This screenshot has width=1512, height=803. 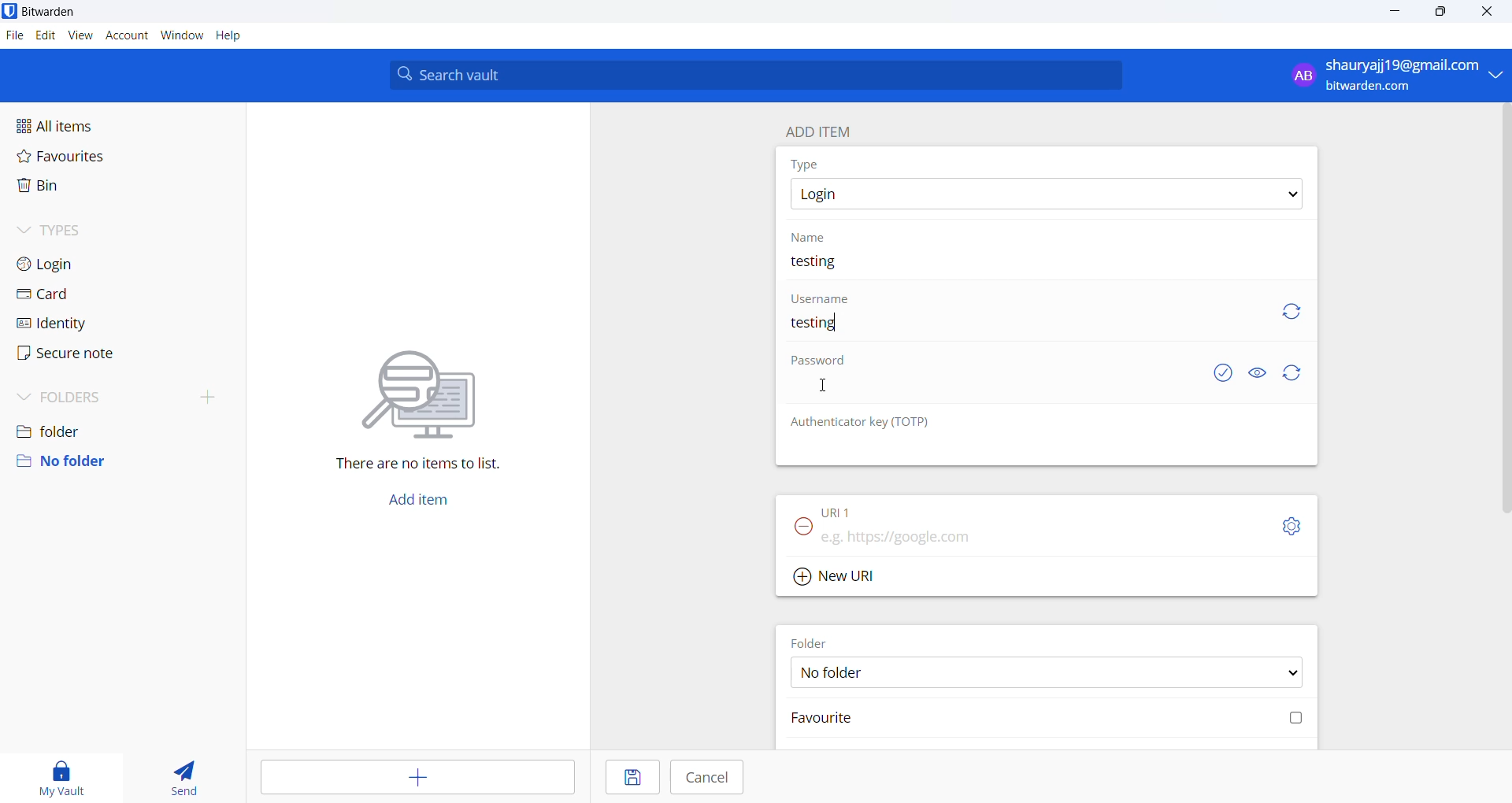 What do you see at coordinates (1048, 269) in the screenshot?
I see `name input box. current name: testing` at bounding box center [1048, 269].